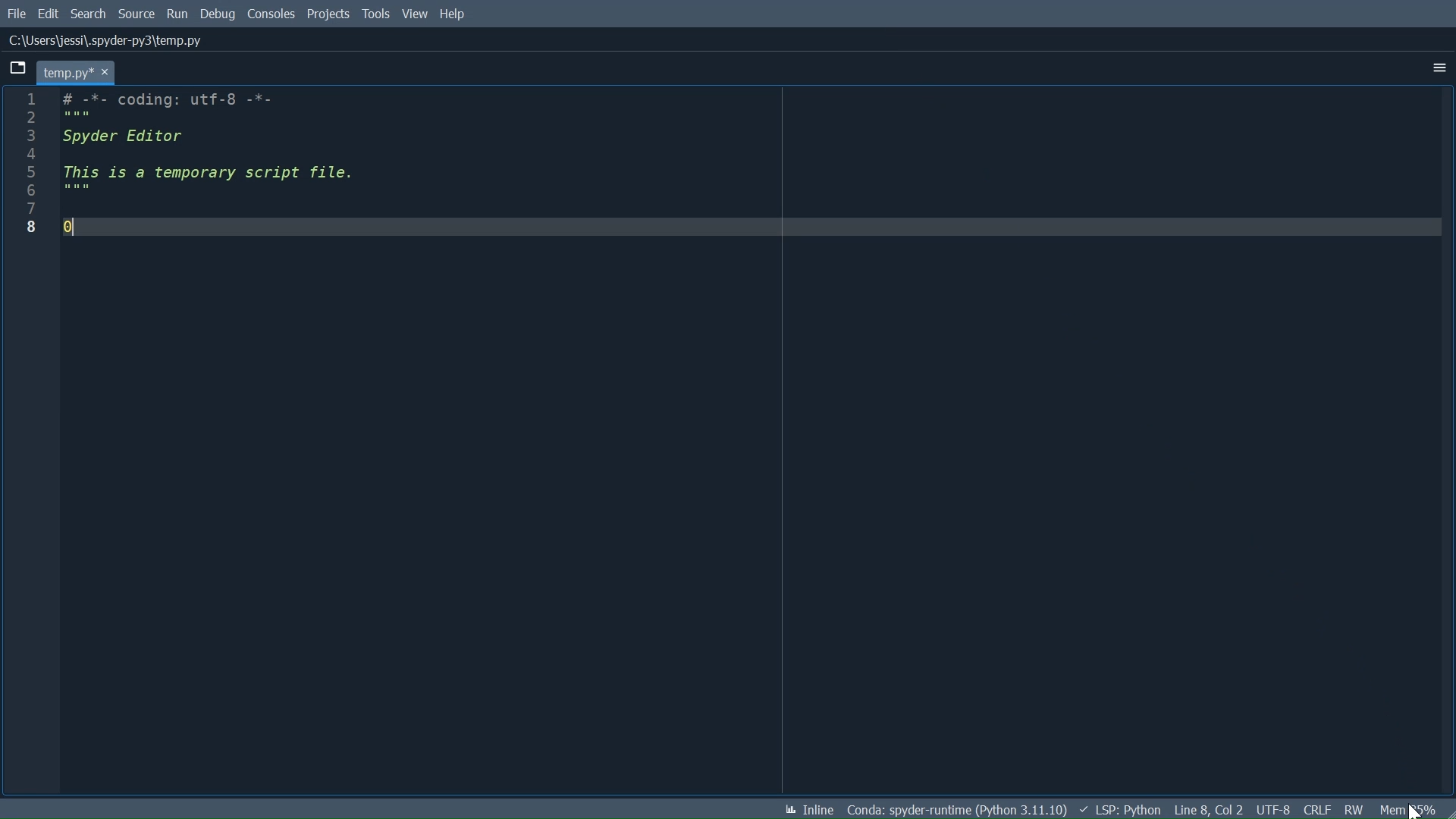  Describe the element at coordinates (804, 808) in the screenshot. I see `Toggle between inline and interactive Matplotlib plotting` at that location.